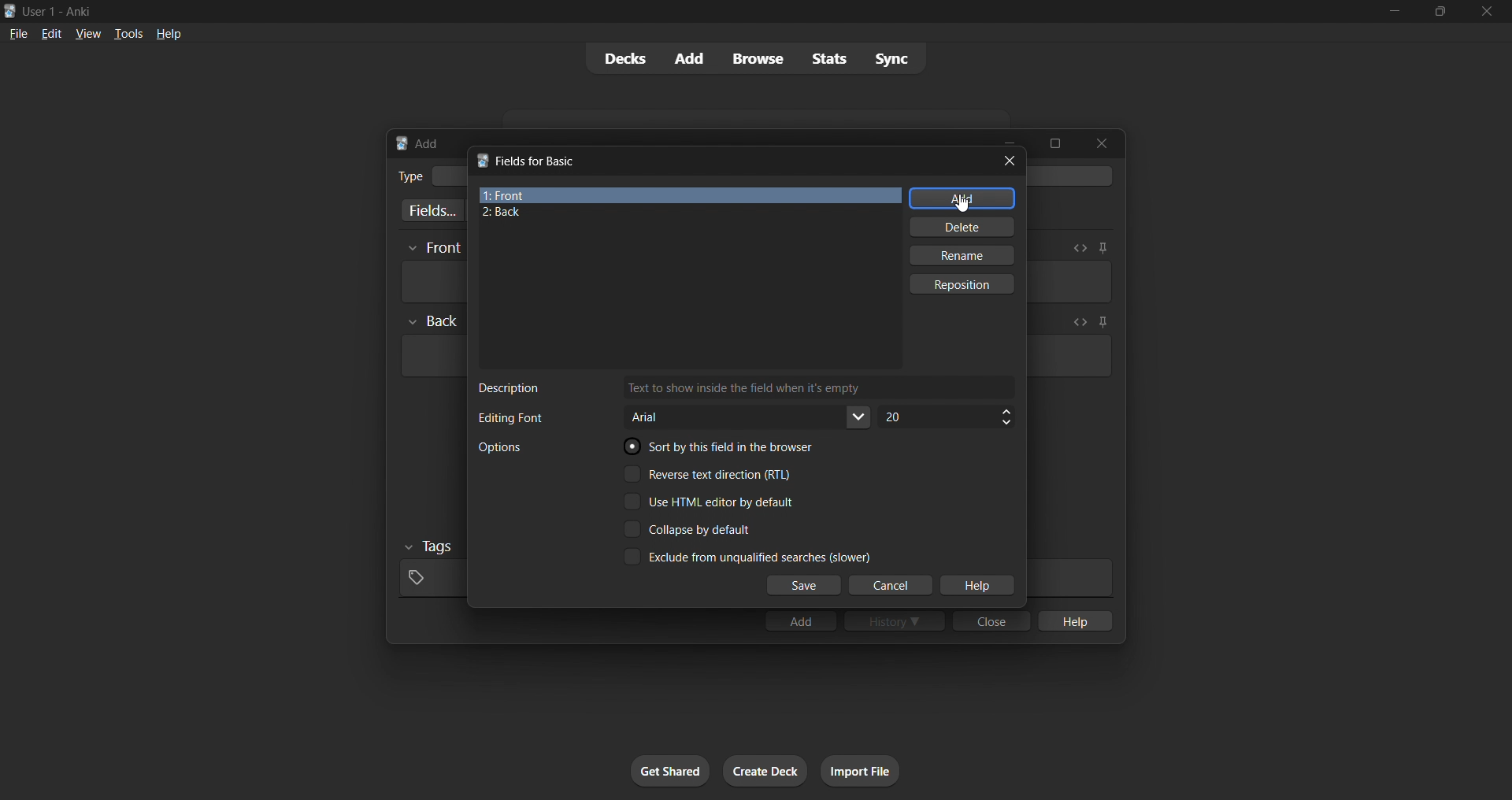 Image resolution: width=1512 pixels, height=800 pixels. What do you see at coordinates (430, 579) in the screenshot?
I see `card tags input` at bounding box center [430, 579].